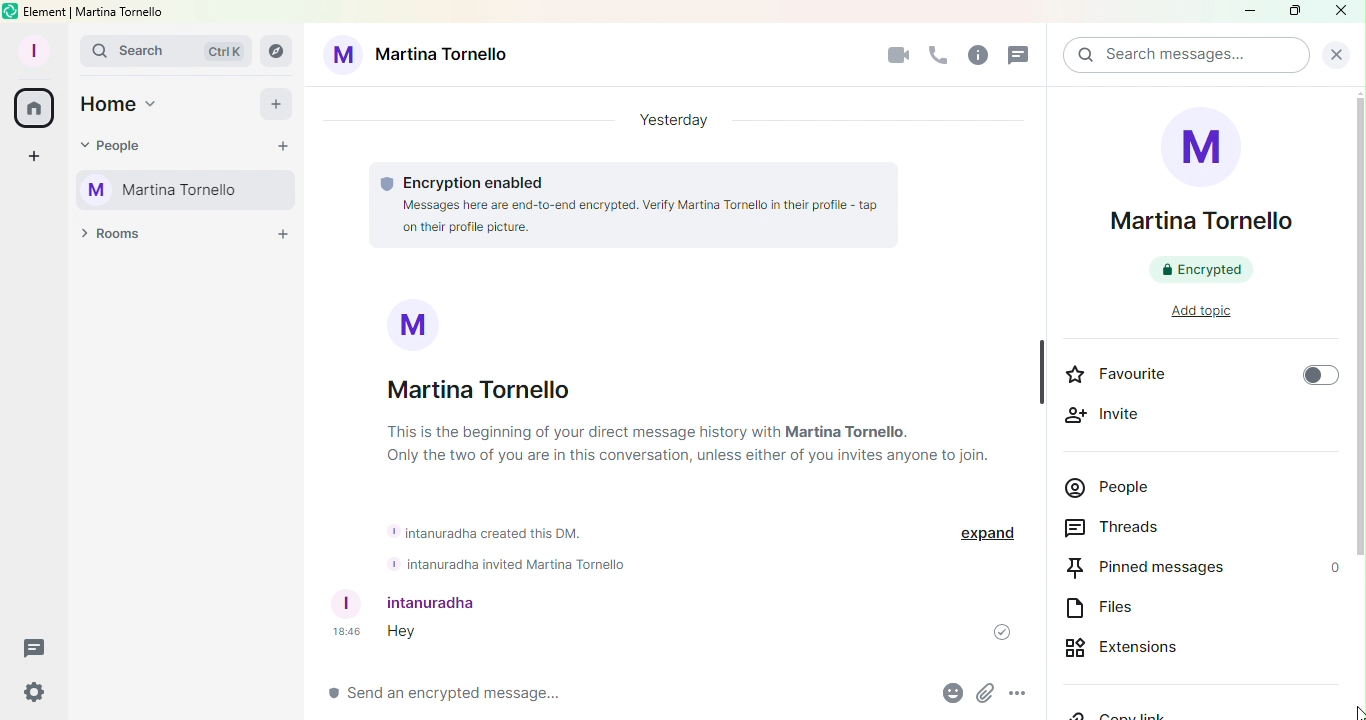 This screenshot has width=1366, height=720. Describe the element at coordinates (286, 146) in the screenshot. I see `Start chat` at that location.